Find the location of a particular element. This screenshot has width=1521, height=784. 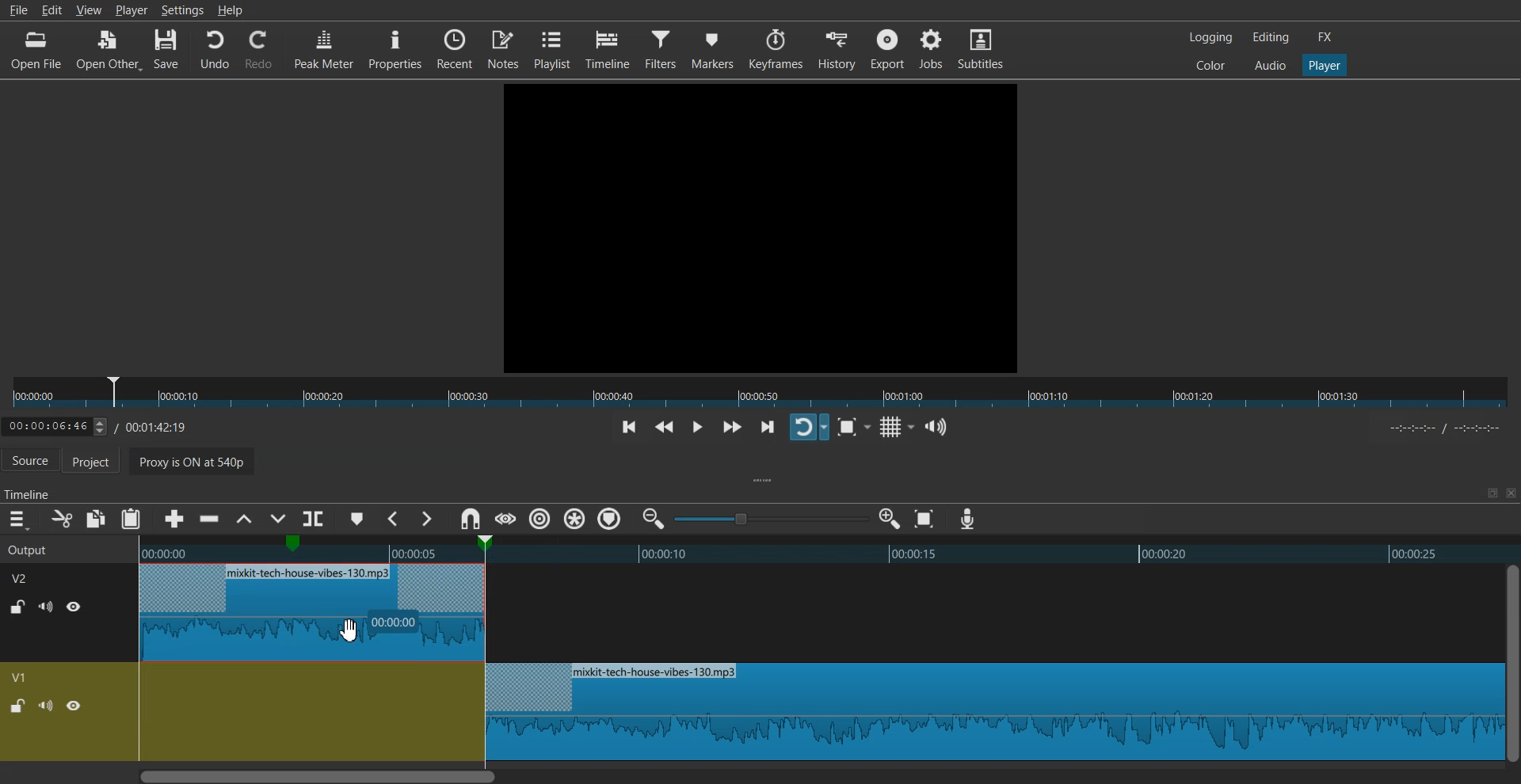

Next Marker is located at coordinates (425, 519).